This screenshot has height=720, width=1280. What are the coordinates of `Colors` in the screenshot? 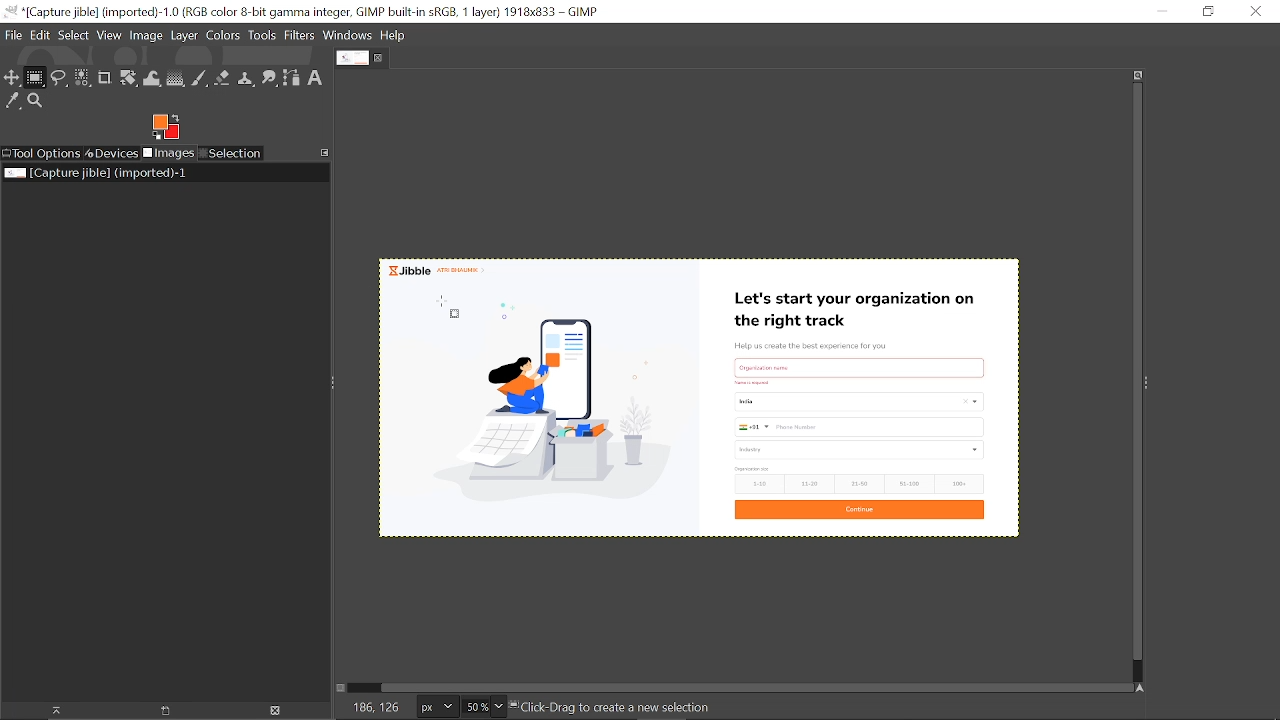 It's located at (224, 36).